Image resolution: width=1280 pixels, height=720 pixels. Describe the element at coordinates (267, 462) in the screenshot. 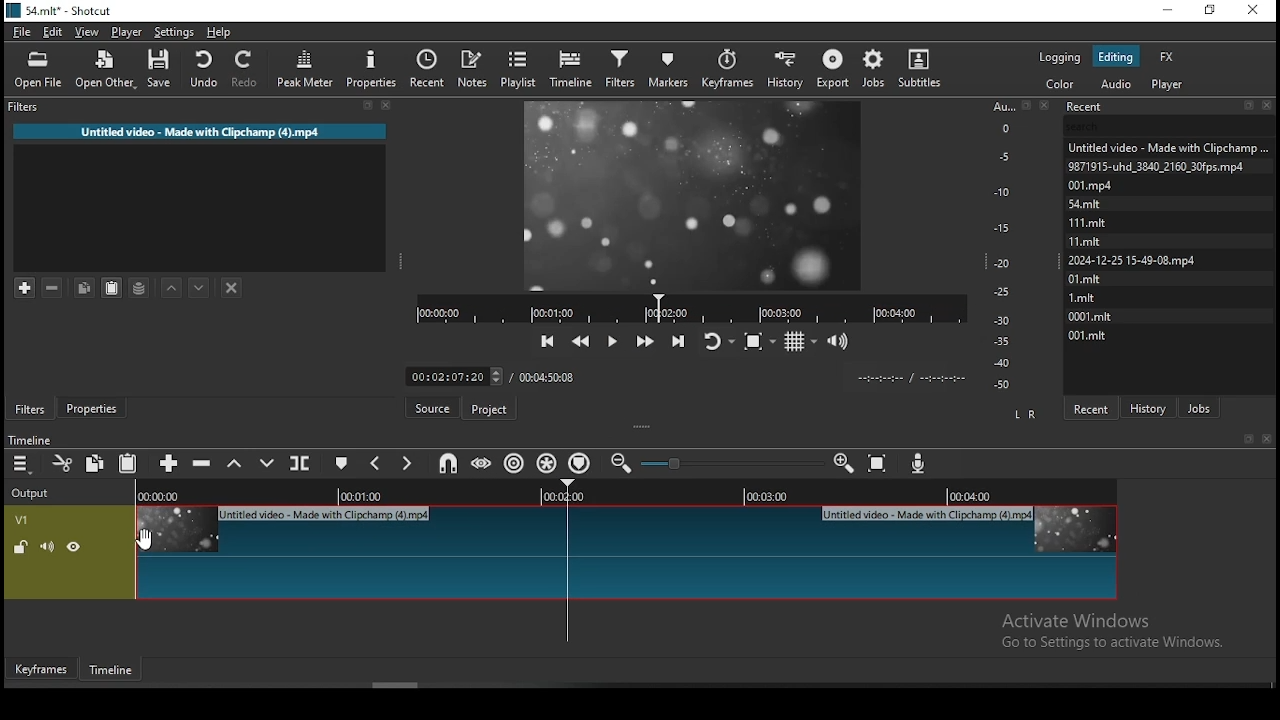

I see `overwrite` at that location.